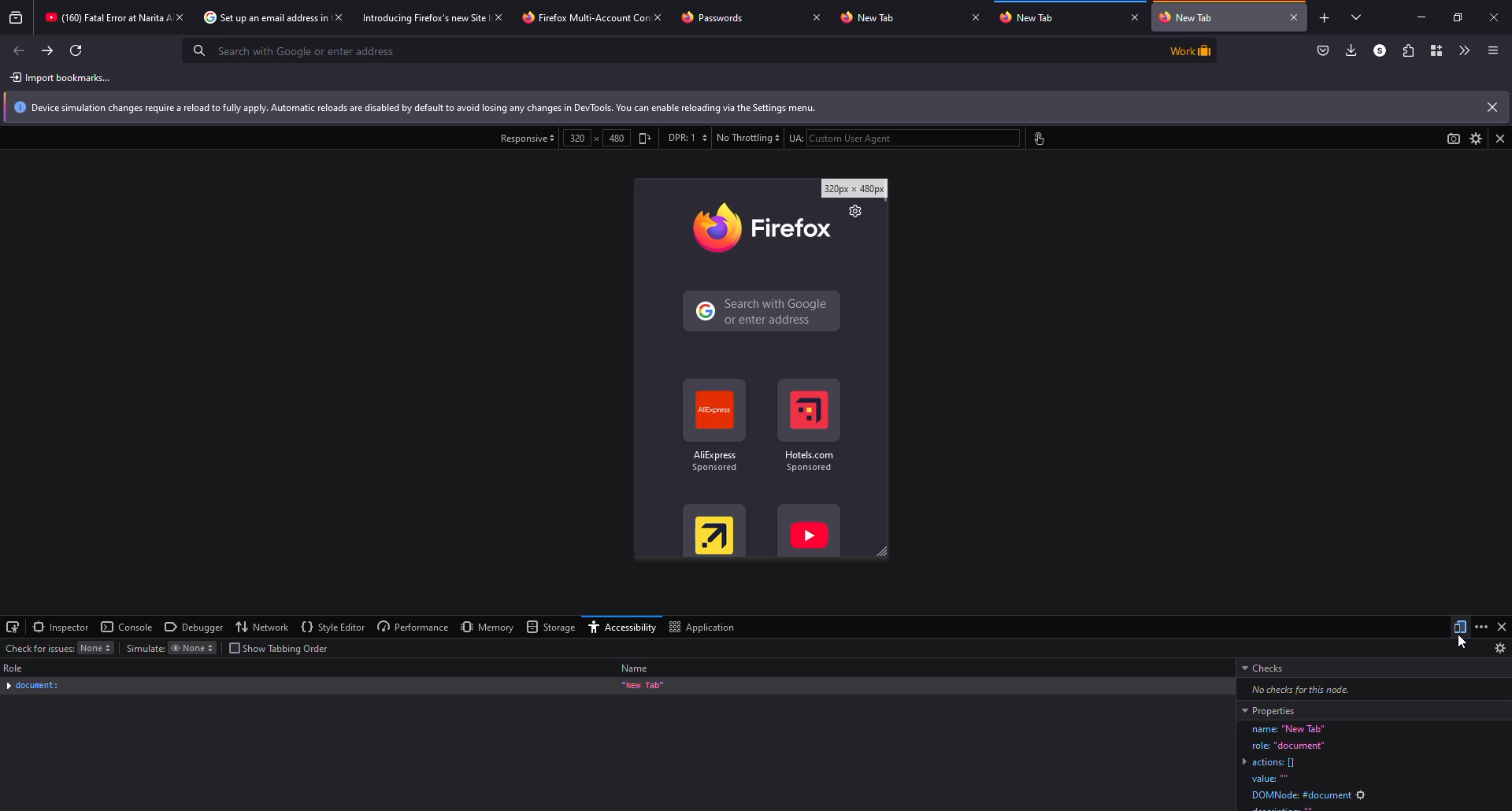 The image size is (1512, 811). Describe the element at coordinates (33, 686) in the screenshot. I see `document` at that location.